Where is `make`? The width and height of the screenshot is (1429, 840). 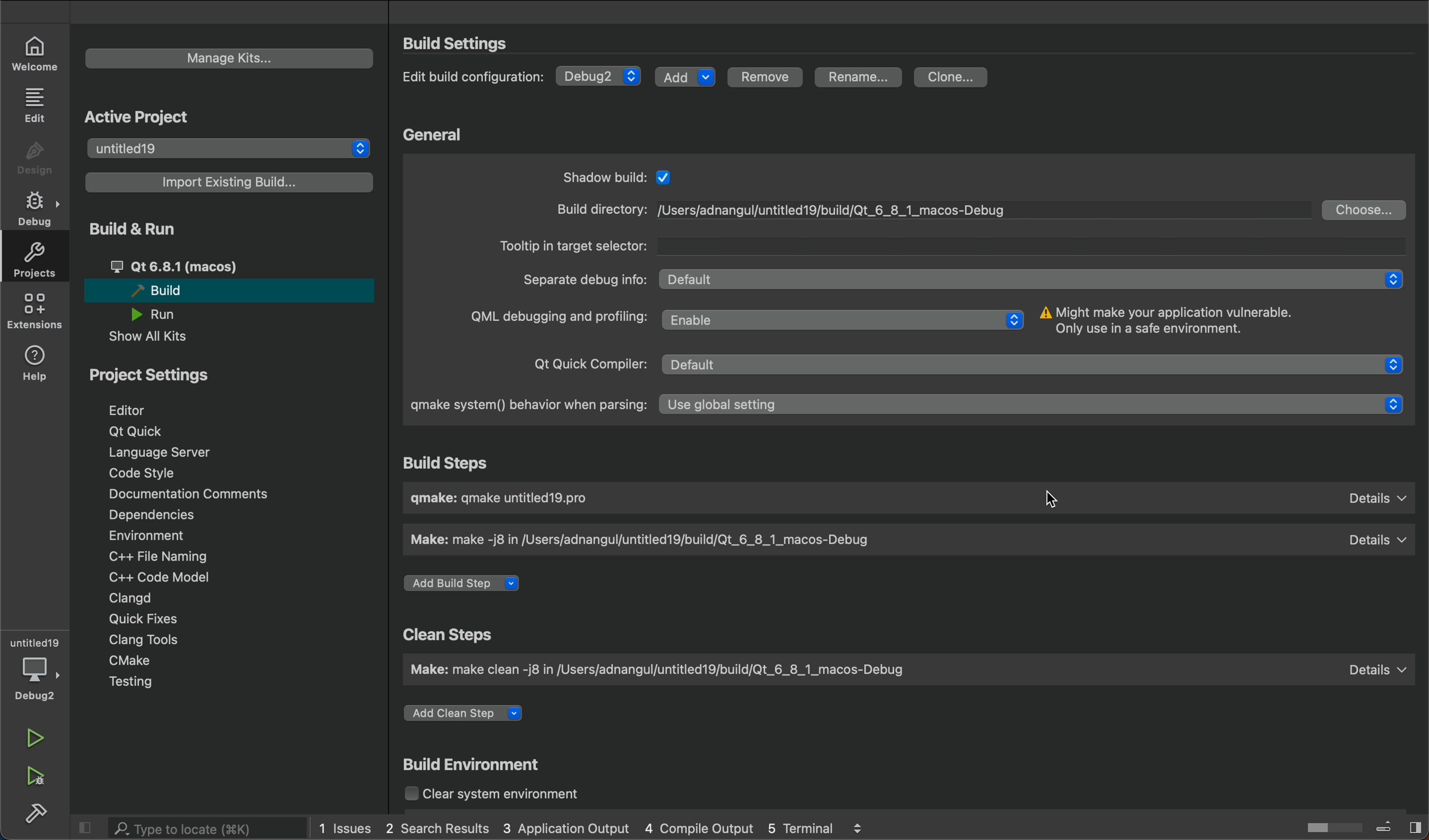
make is located at coordinates (669, 668).